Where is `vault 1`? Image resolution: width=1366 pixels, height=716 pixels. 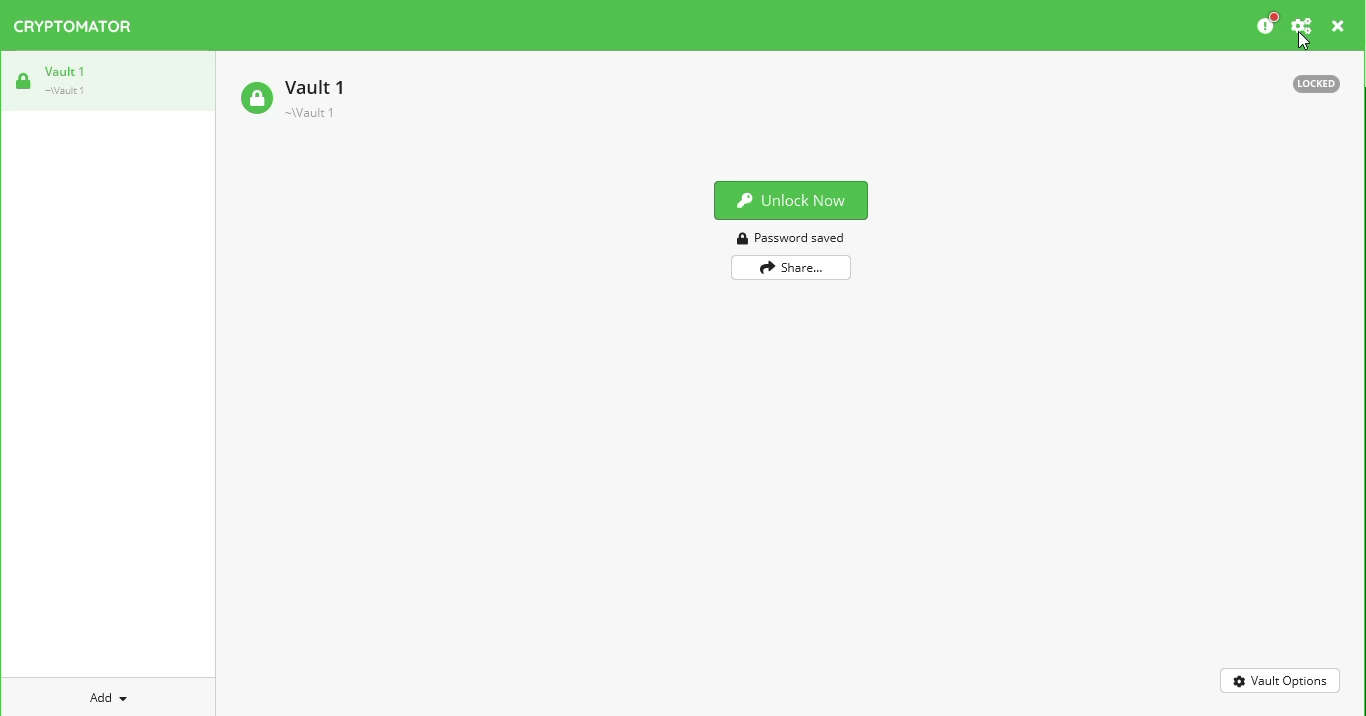 vault 1 is located at coordinates (69, 79).